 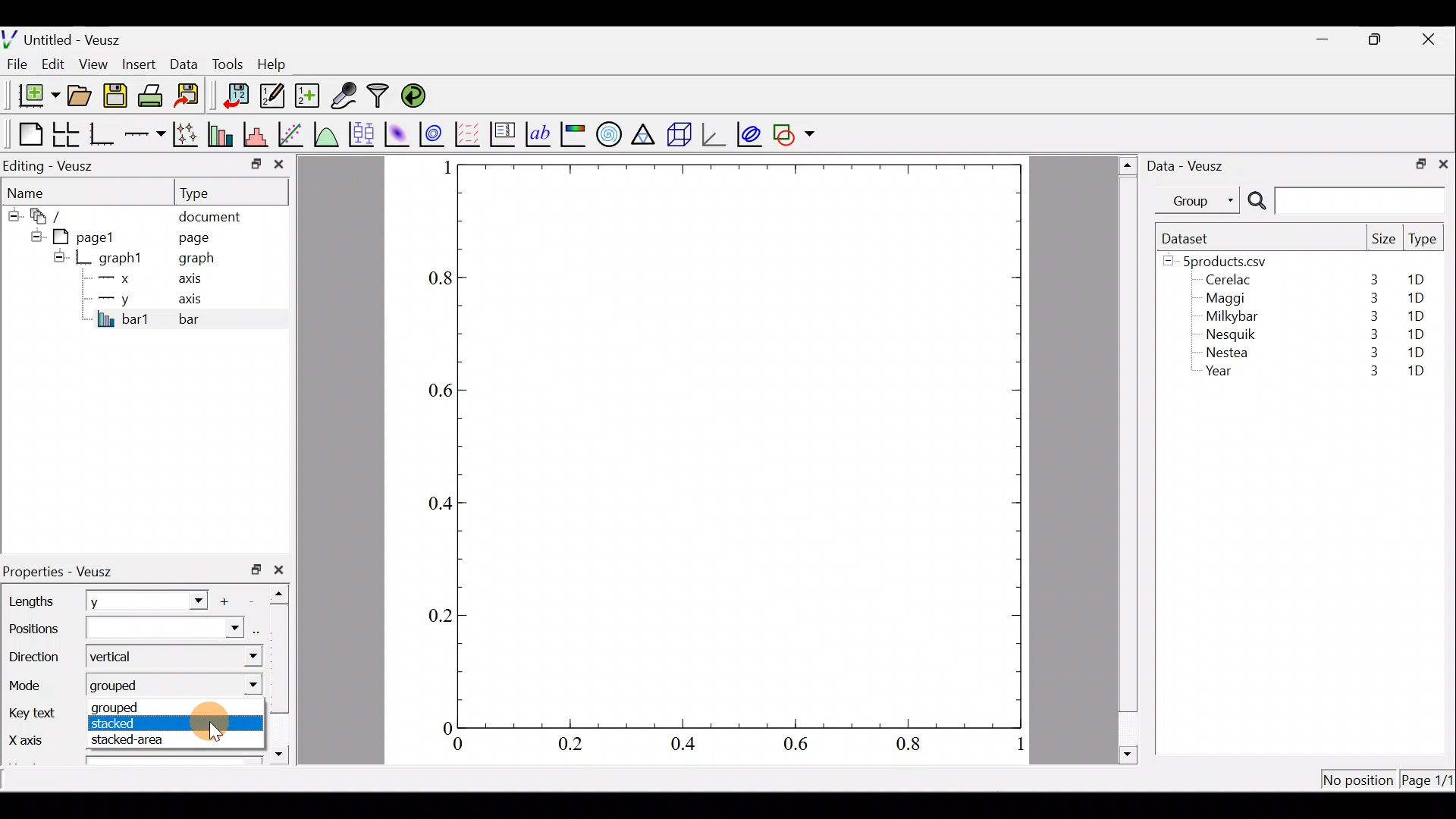 I want to click on Blank page, so click(x=27, y=134).